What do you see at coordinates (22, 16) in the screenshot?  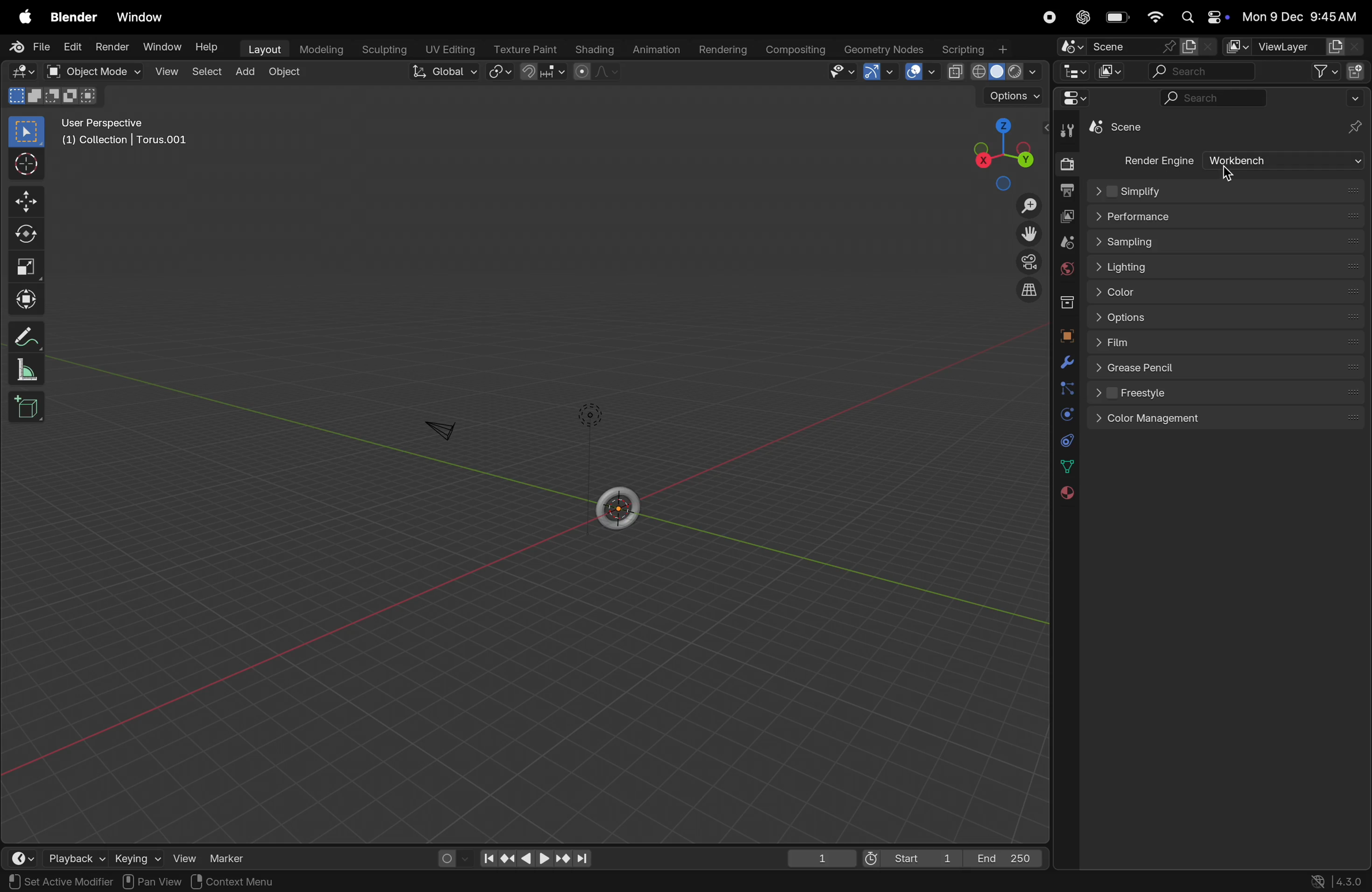 I see `apple menu` at bounding box center [22, 16].